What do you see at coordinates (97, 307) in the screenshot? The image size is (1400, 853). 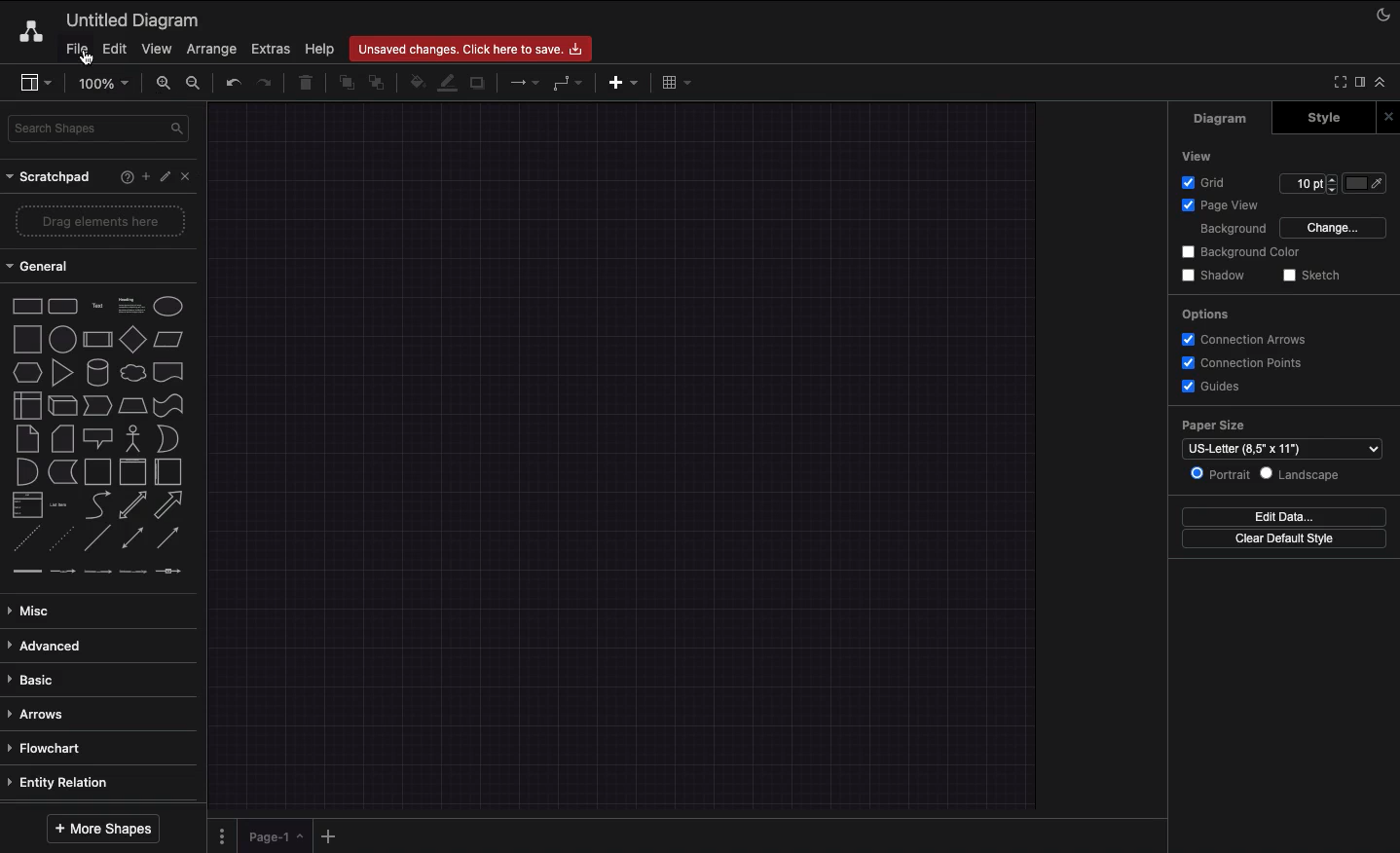 I see `Text` at bounding box center [97, 307].